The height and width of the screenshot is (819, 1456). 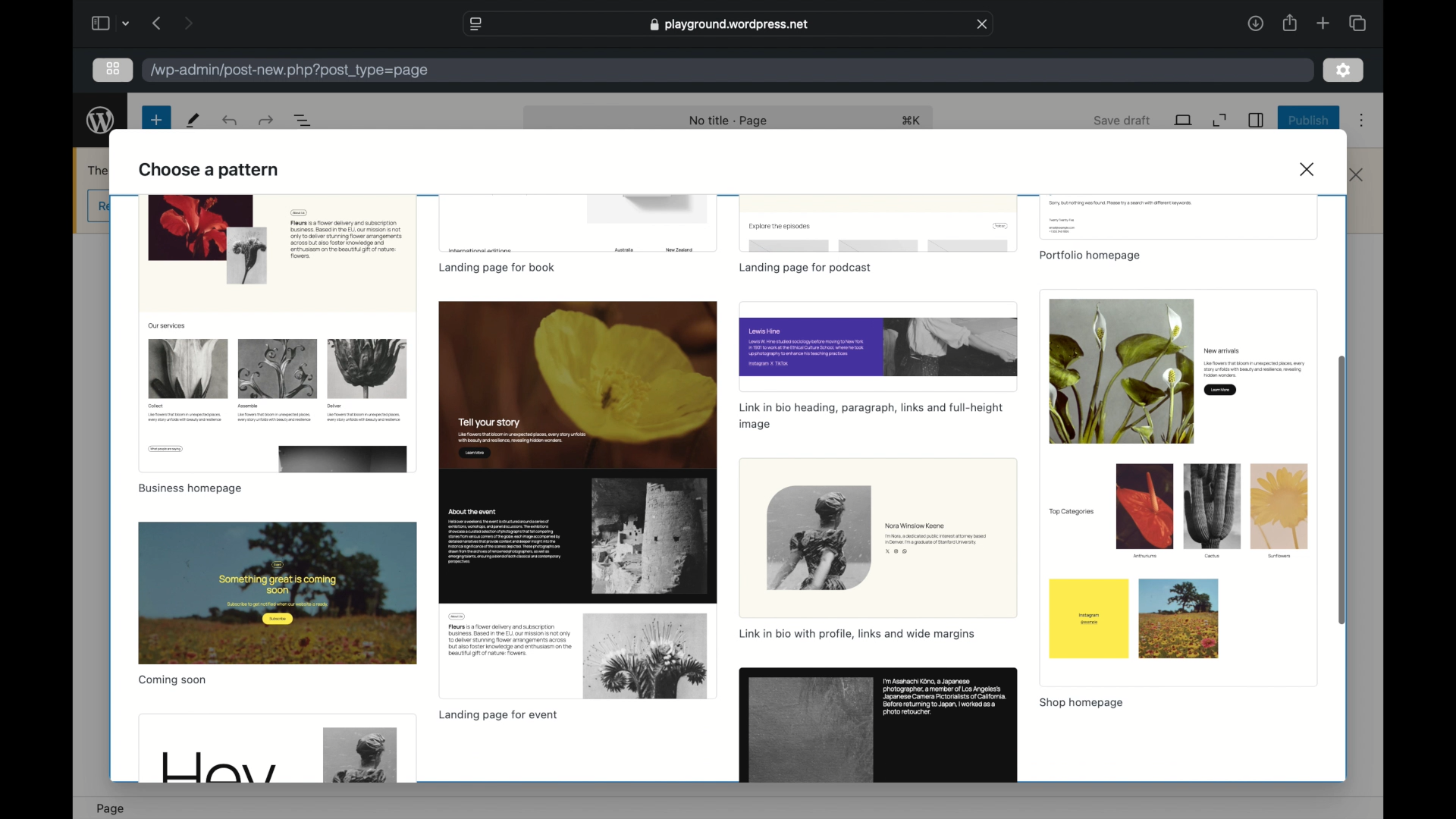 What do you see at coordinates (1219, 121) in the screenshot?
I see `expand` at bounding box center [1219, 121].